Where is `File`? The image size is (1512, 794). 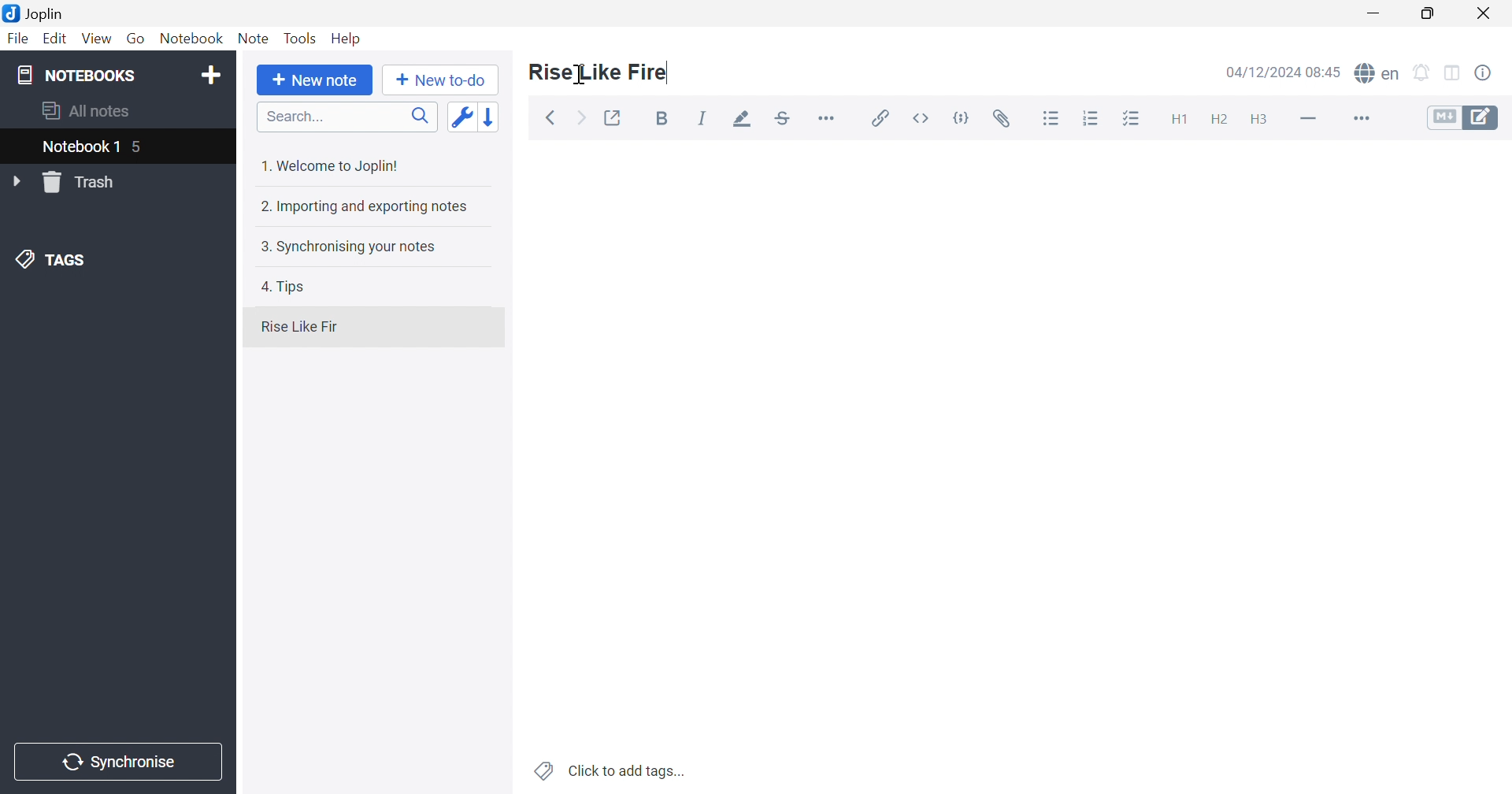 File is located at coordinates (18, 38).